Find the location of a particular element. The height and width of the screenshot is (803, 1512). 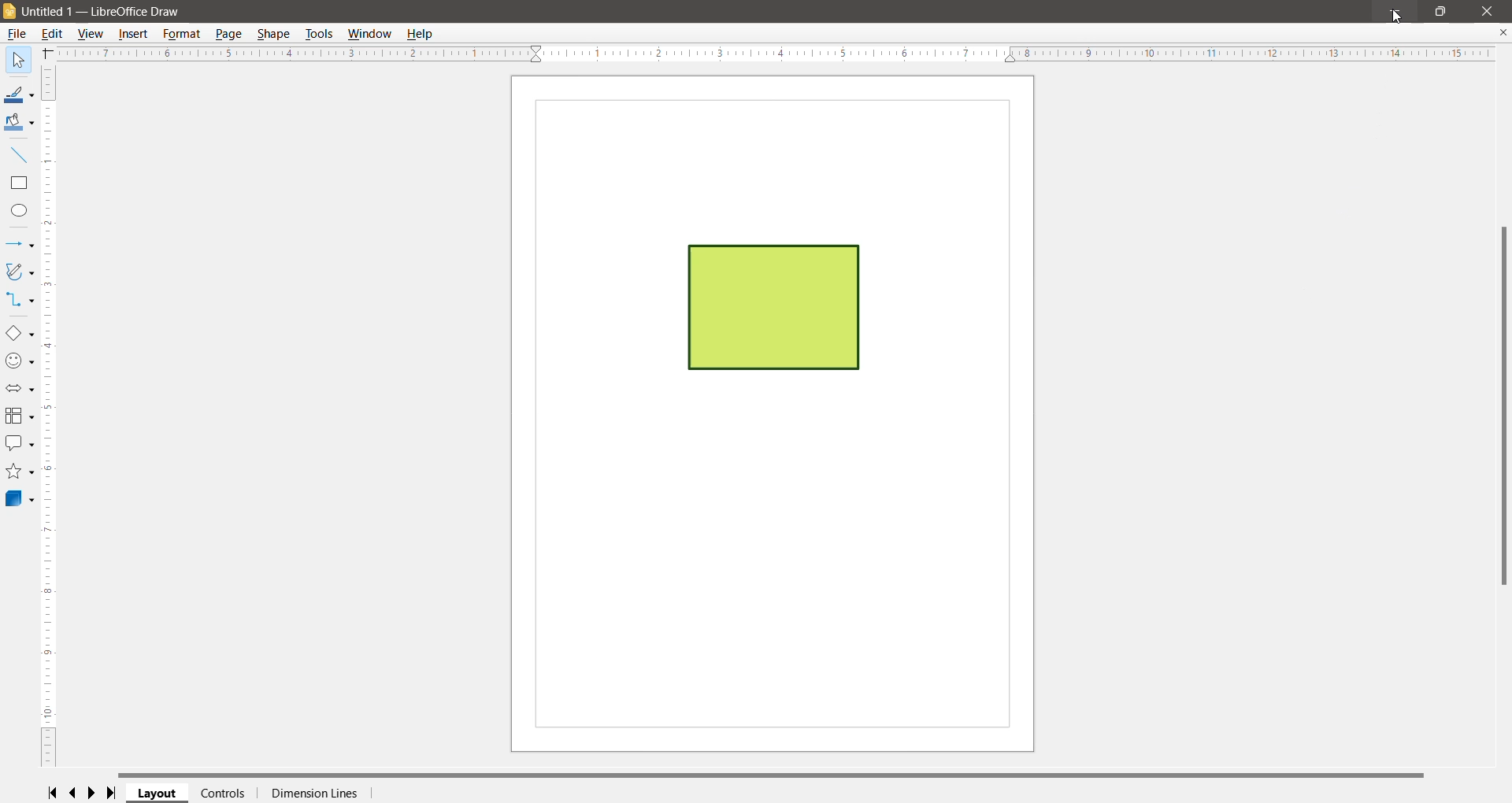

Flowchart is located at coordinates (19, 416).